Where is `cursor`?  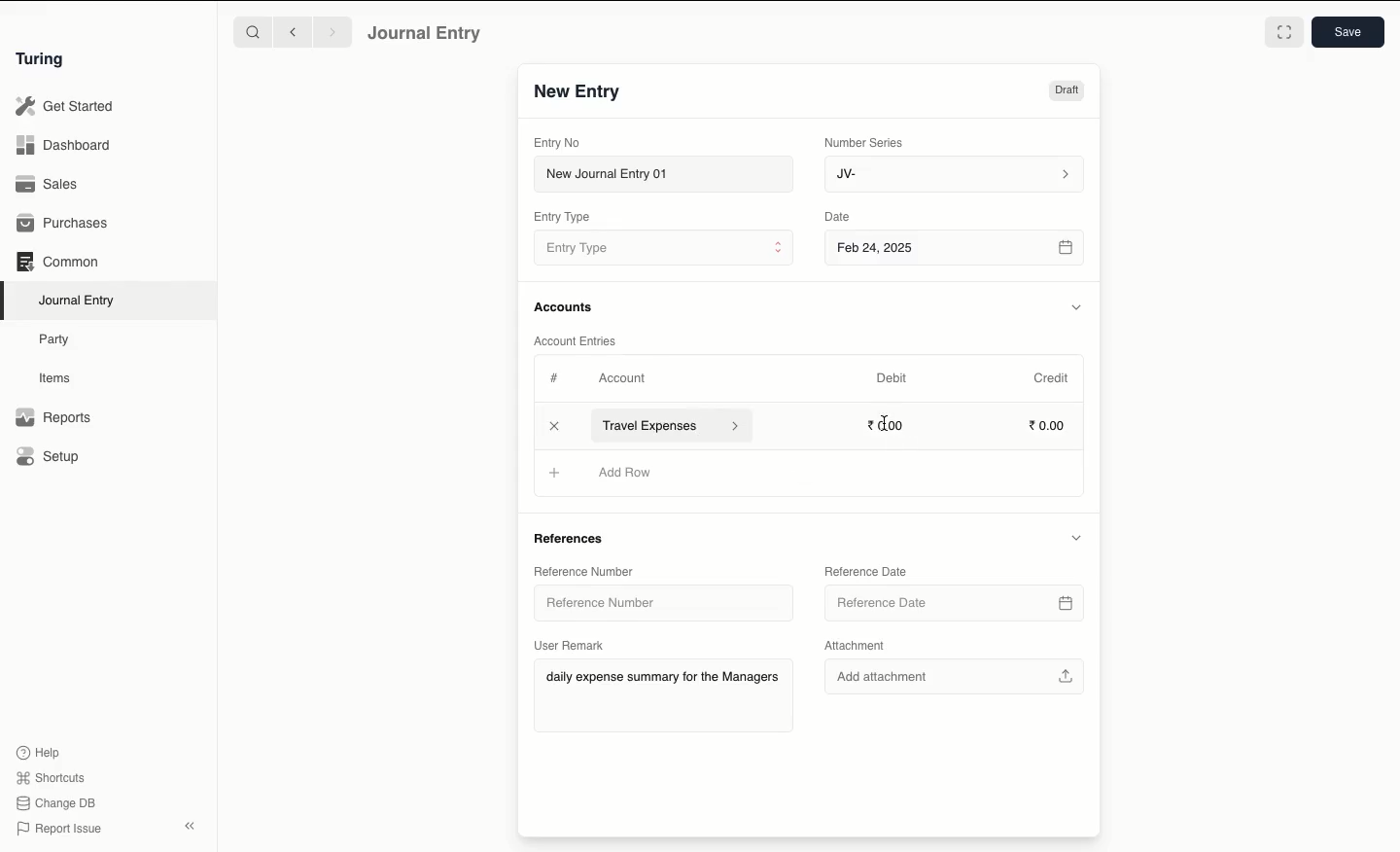
cursor is located at coordinates (883, 425).